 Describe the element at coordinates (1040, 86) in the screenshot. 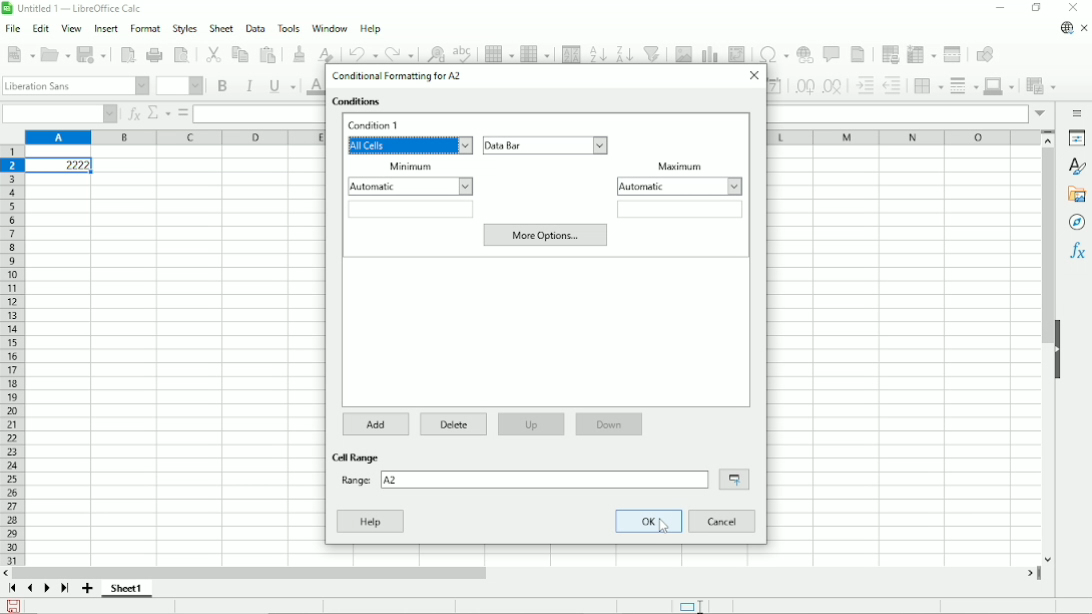

I see `Conditional` at that location.